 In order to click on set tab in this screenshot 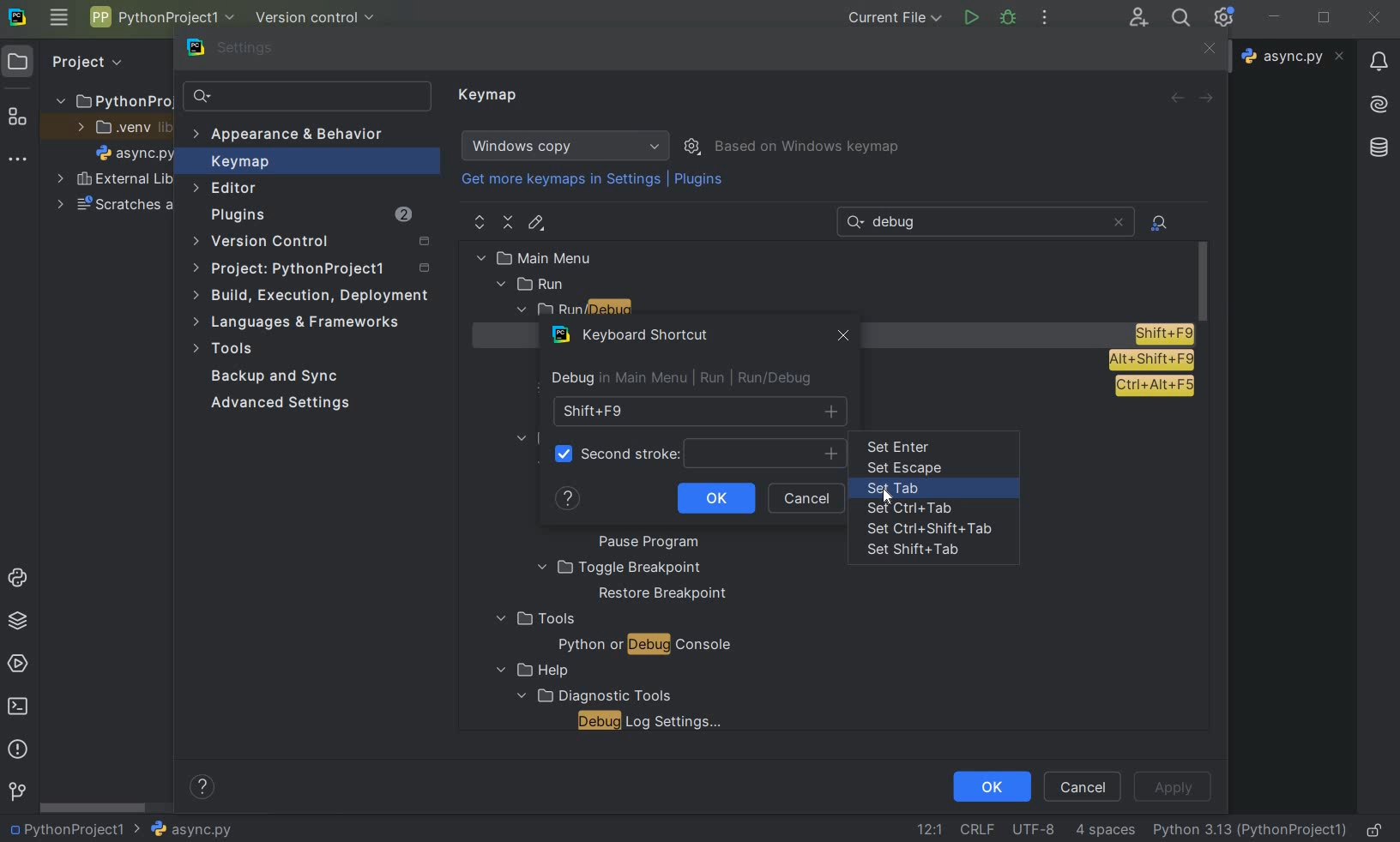, I will do `click(896, 490)`.